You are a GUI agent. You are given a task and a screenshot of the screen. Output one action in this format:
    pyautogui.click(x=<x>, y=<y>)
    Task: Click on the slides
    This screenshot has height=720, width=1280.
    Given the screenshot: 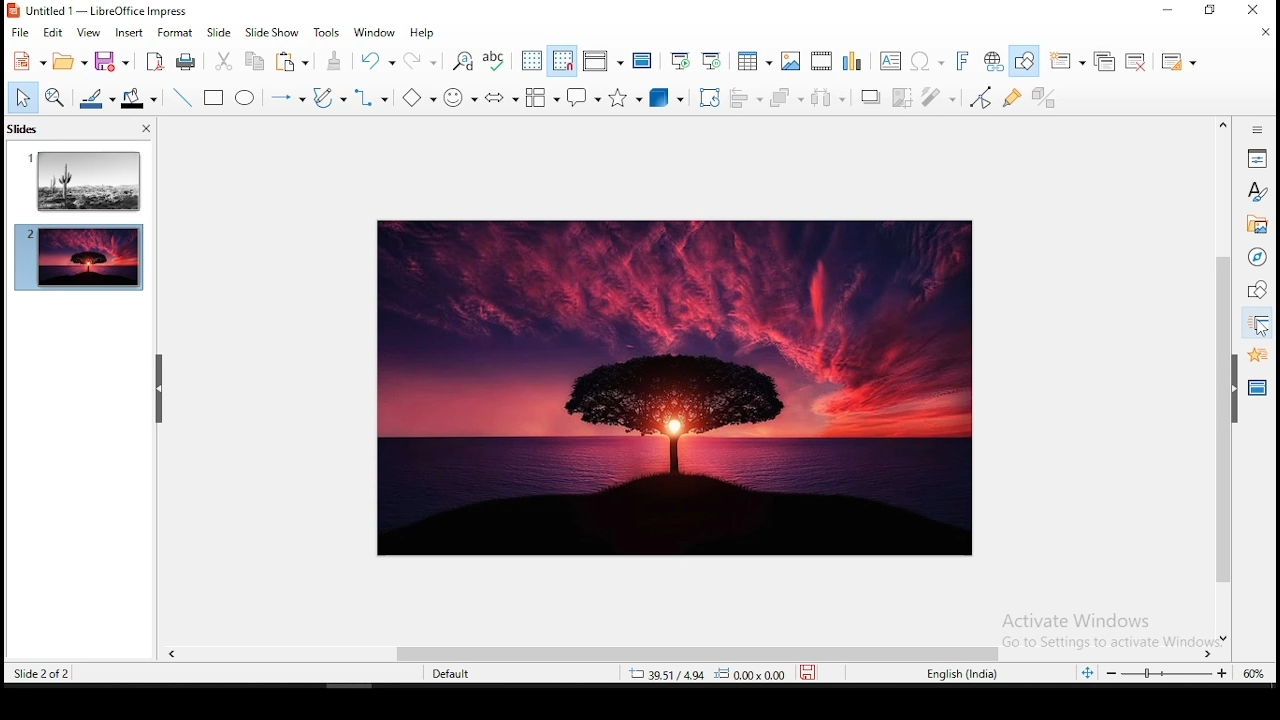 What is the action you would take?
    pyautogui.click(x=22, y=129)
    